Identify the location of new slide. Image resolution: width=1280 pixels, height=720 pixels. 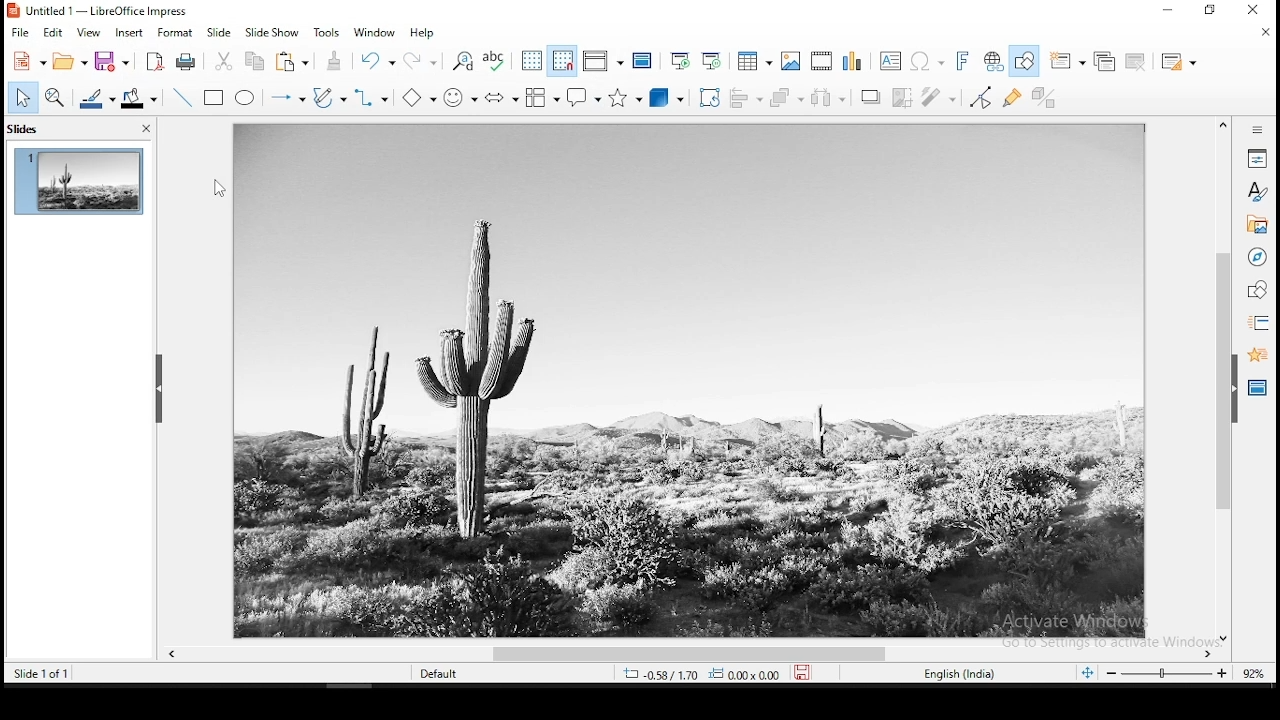
(1067, 60).